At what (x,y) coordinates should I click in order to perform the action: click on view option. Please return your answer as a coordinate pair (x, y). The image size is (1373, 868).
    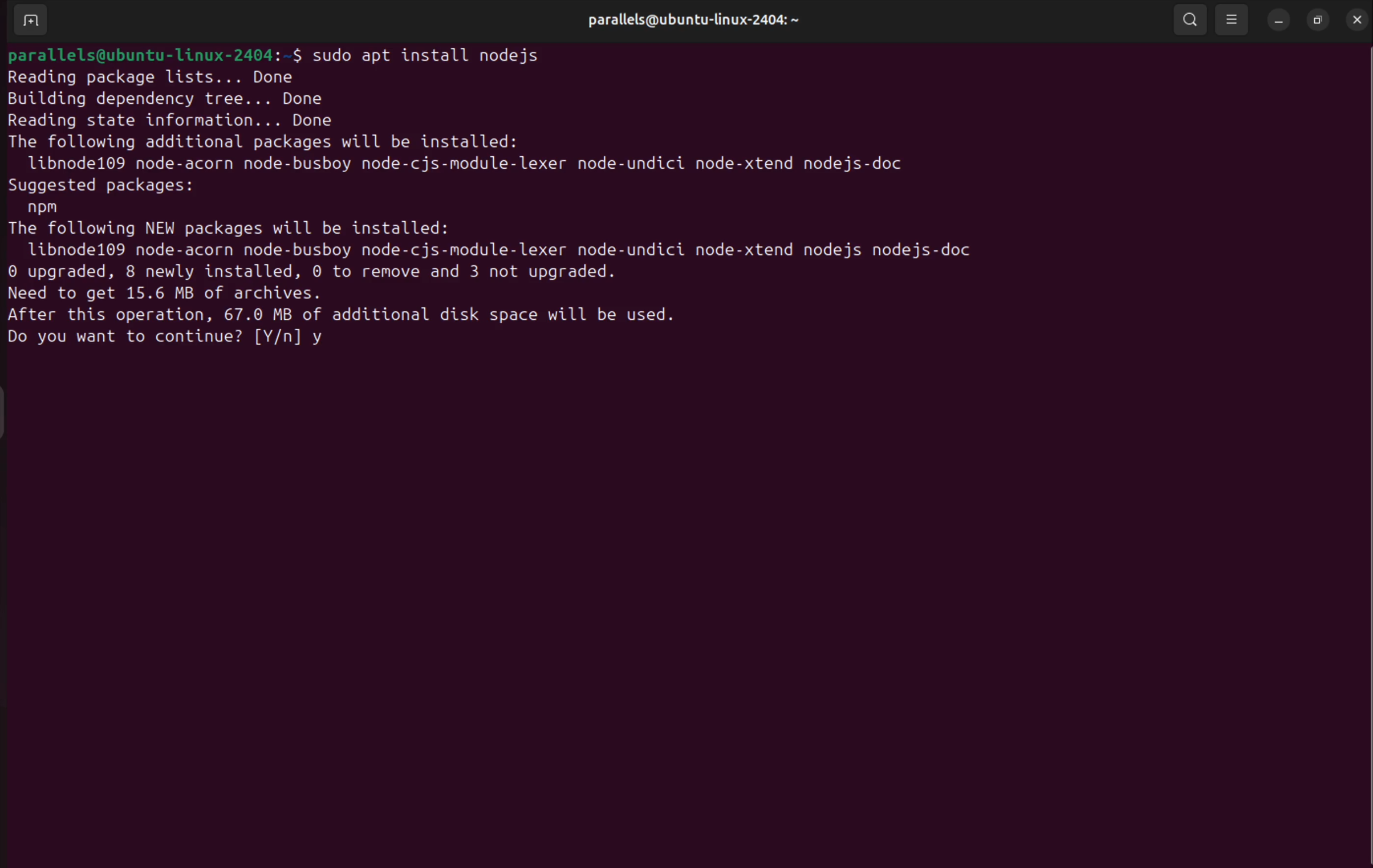
    Looking at the image, I should click on (1234, 19).